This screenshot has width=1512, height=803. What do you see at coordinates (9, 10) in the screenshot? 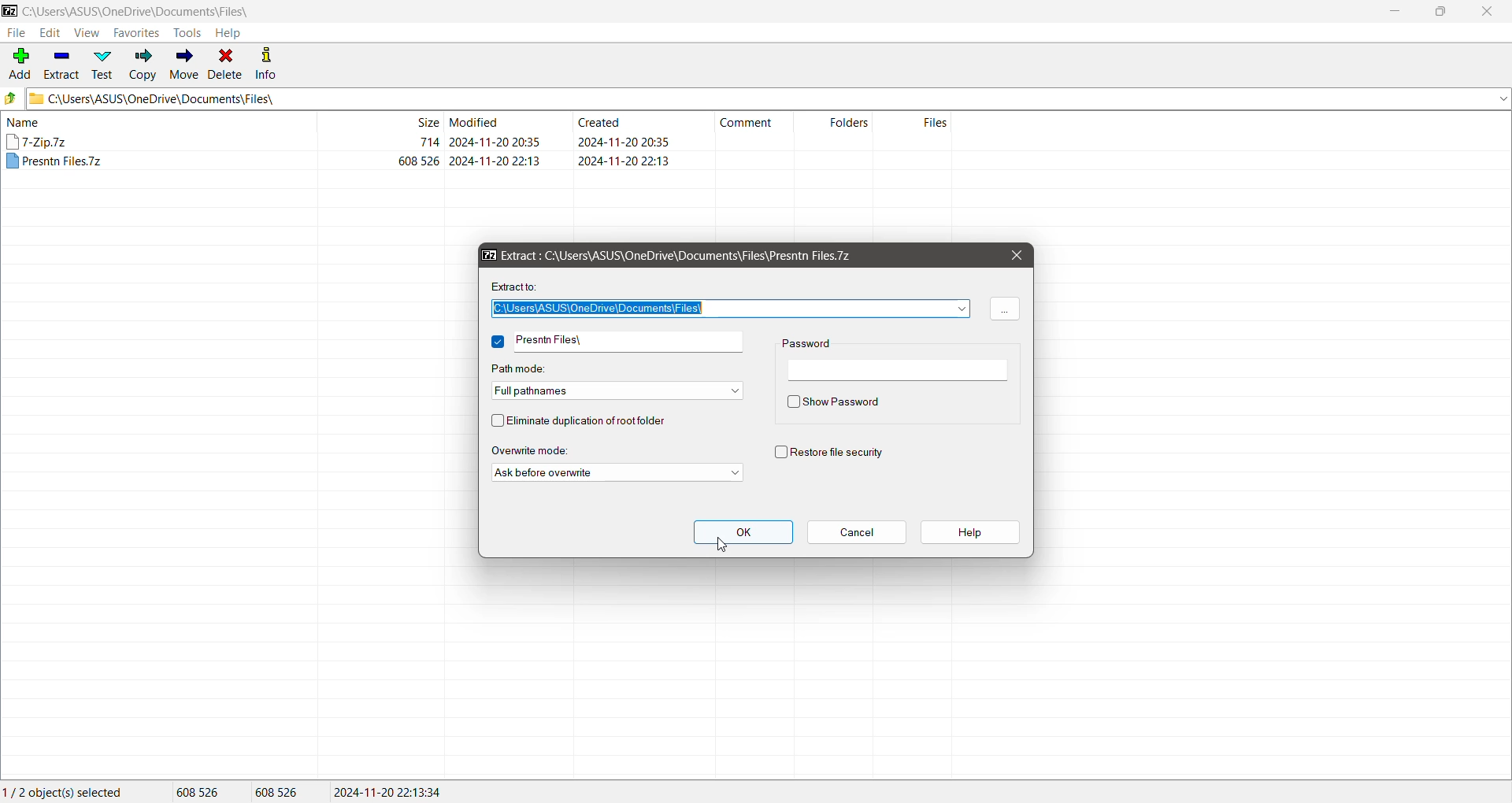
I see `Application Logo` at bounding box center [9, 10].